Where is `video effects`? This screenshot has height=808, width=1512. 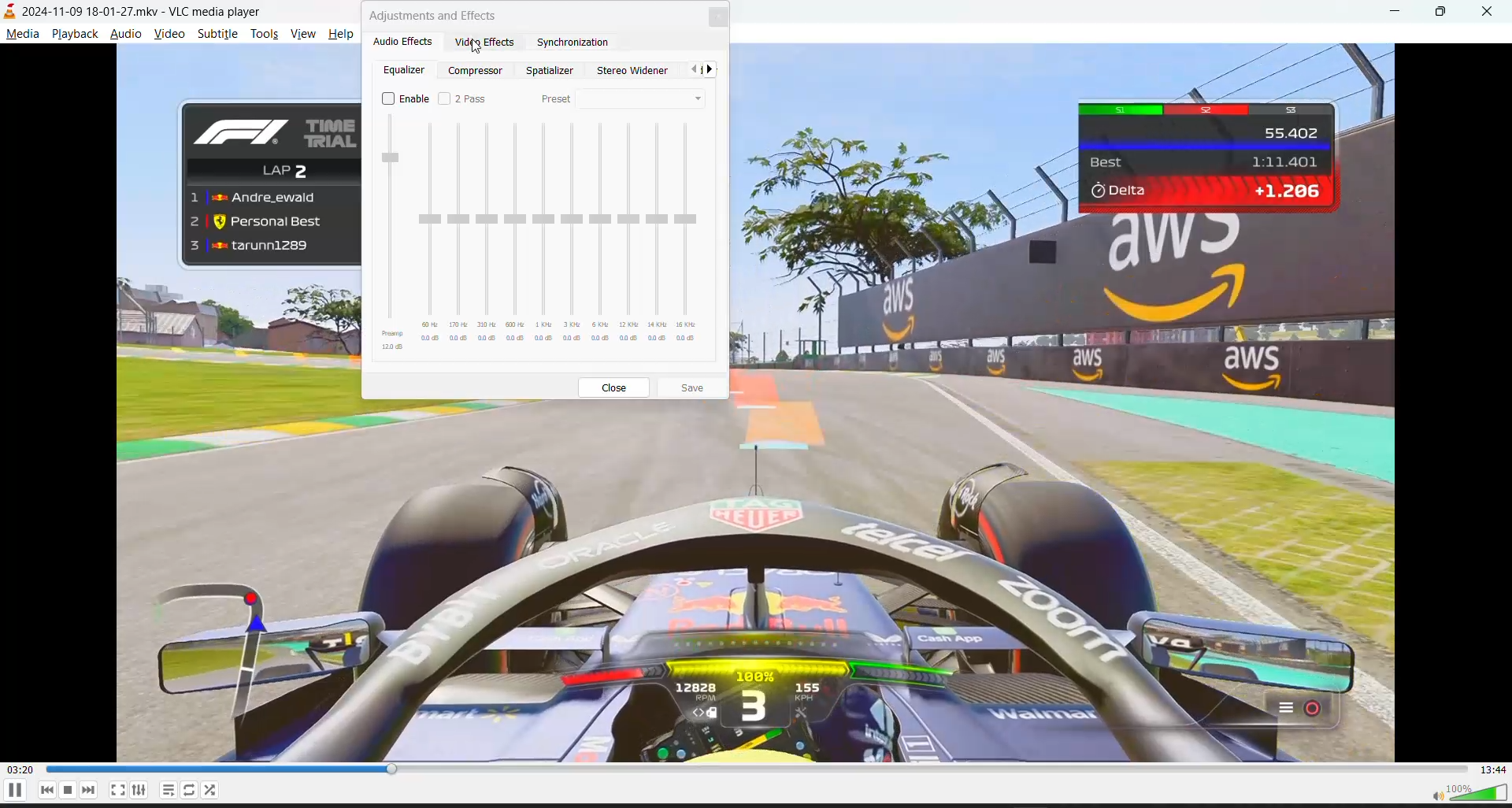
video effects is located at coordinates (487, 44).